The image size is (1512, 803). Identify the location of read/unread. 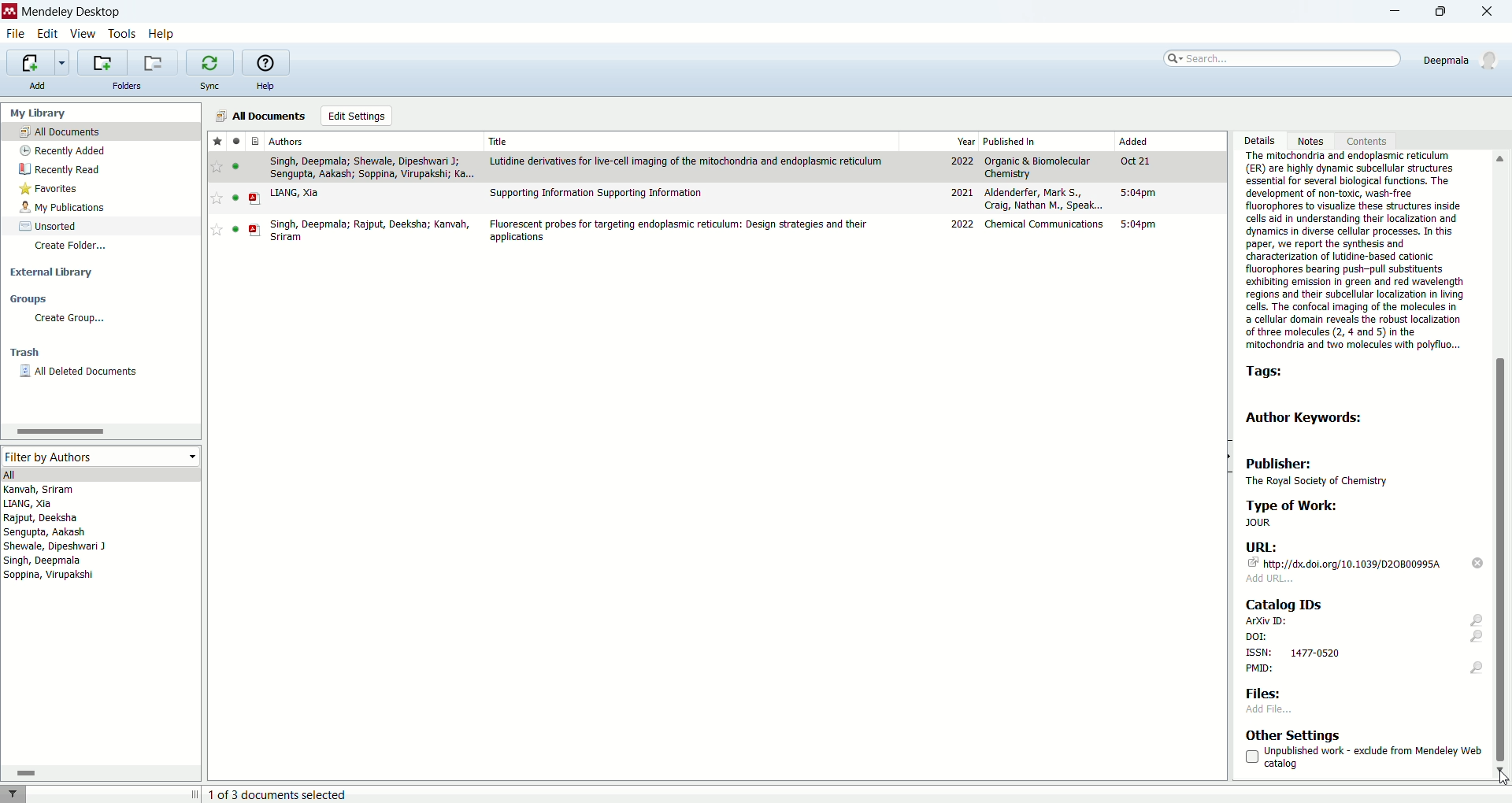
(235, 140).